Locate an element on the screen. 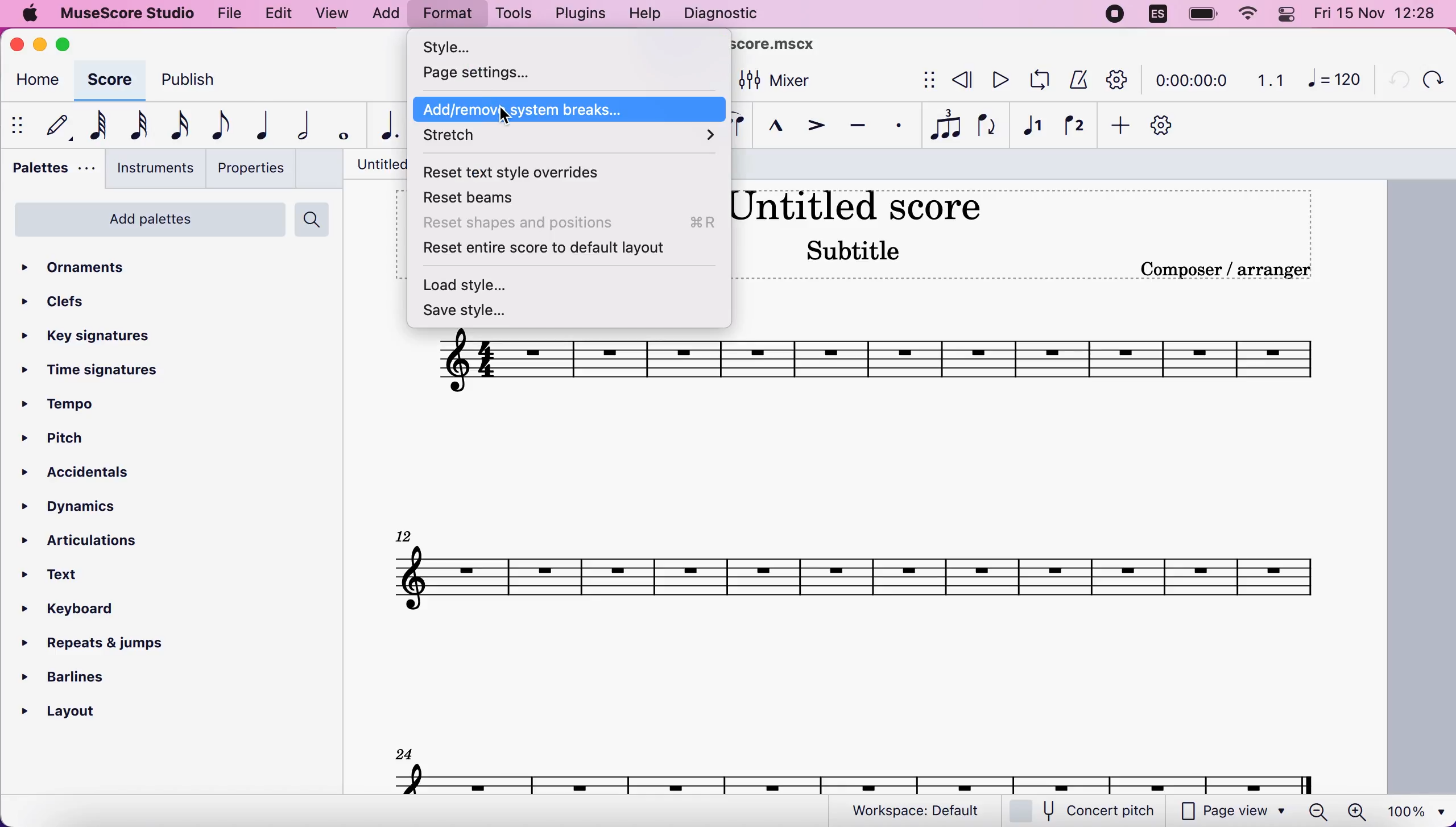 This screenshot has width=1456, height=827. diagnostic is located at coordinates (725, 15).